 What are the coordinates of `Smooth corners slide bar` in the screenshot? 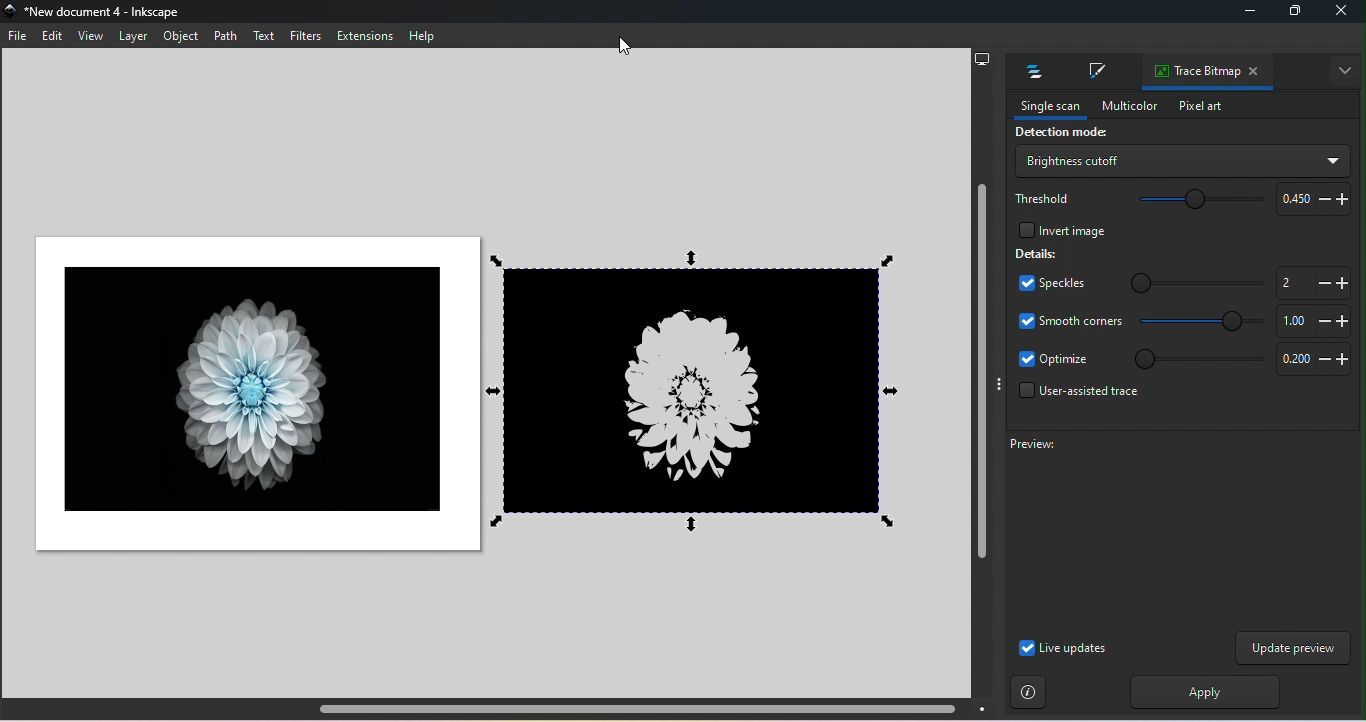 It's located at (1203, 322).